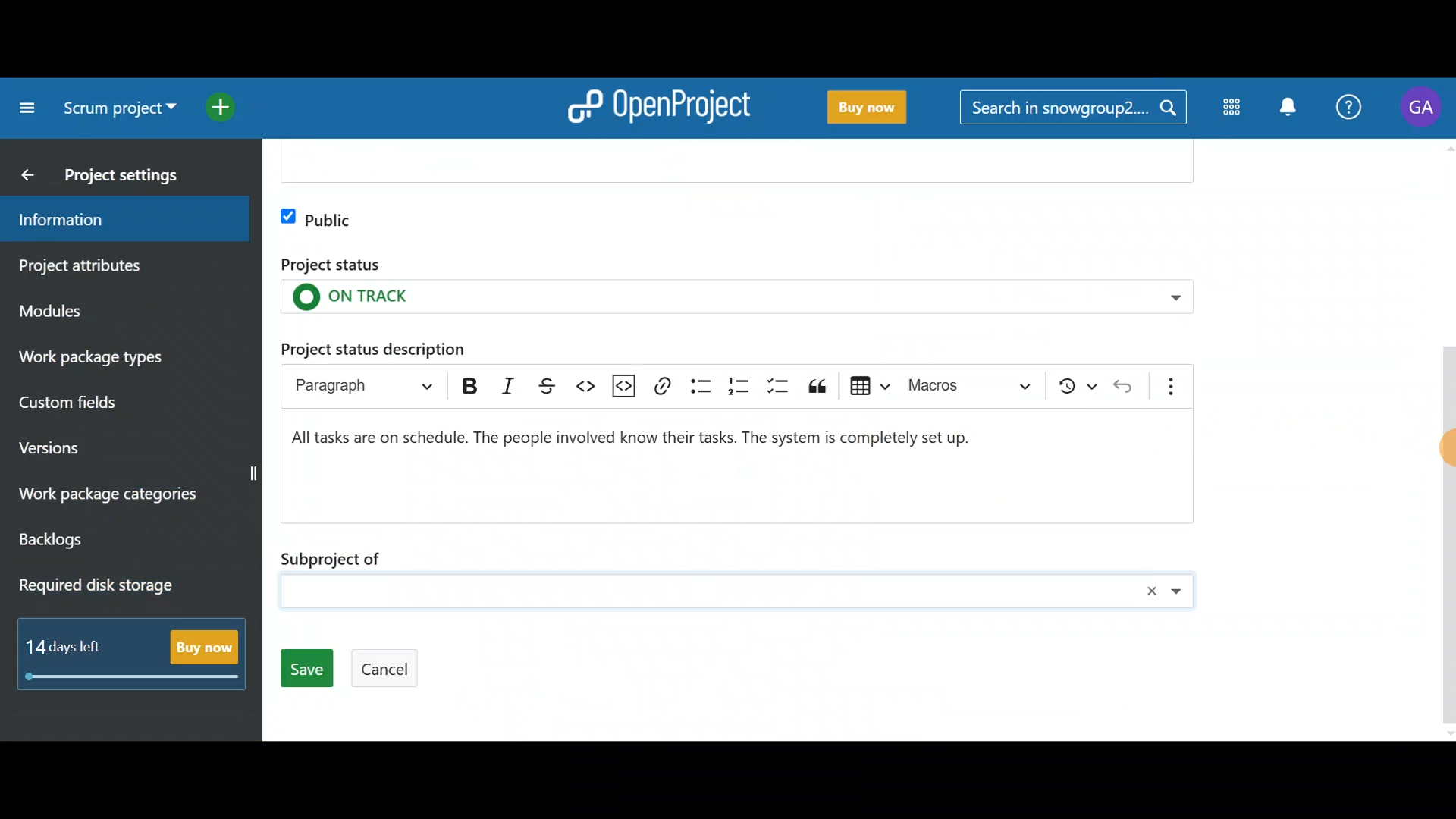 This screenshot has width=1456, height=819. What do you see at coordinates (106, 310) in the screenshot?
I see `Modules` at bounding box center [106, 310].